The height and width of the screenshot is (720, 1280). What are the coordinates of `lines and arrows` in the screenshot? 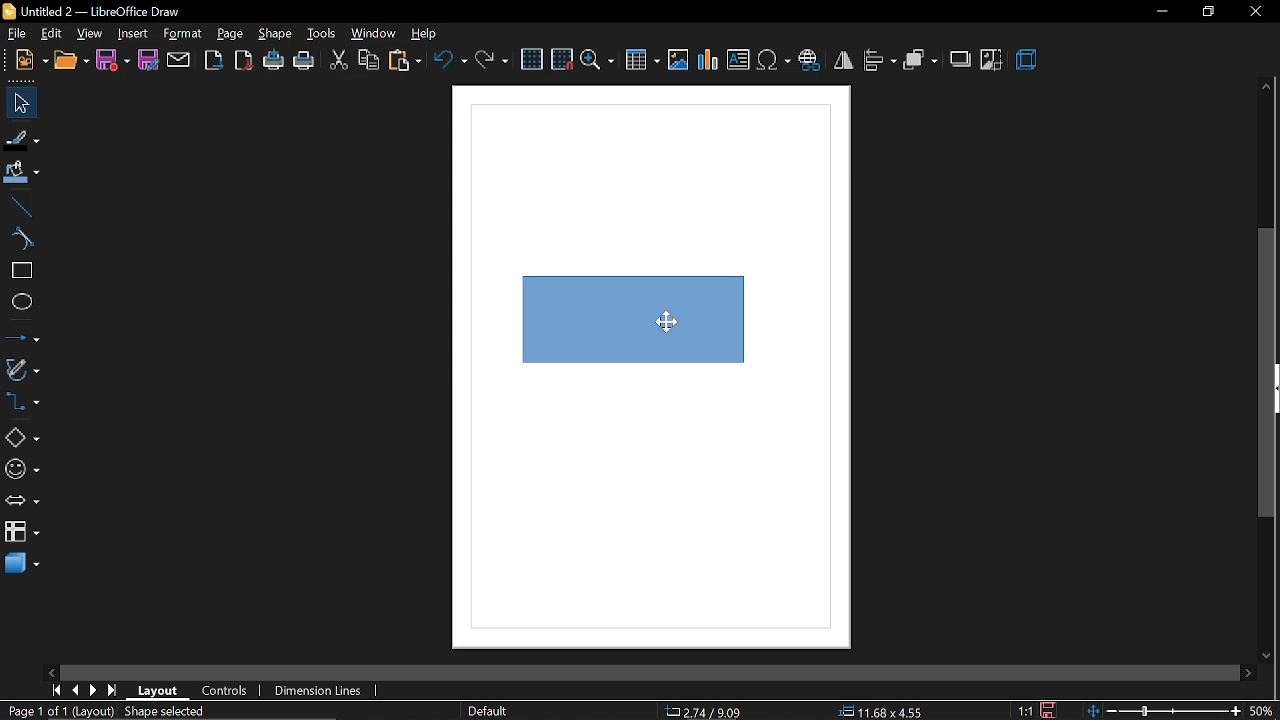 It's located at (22, 336).